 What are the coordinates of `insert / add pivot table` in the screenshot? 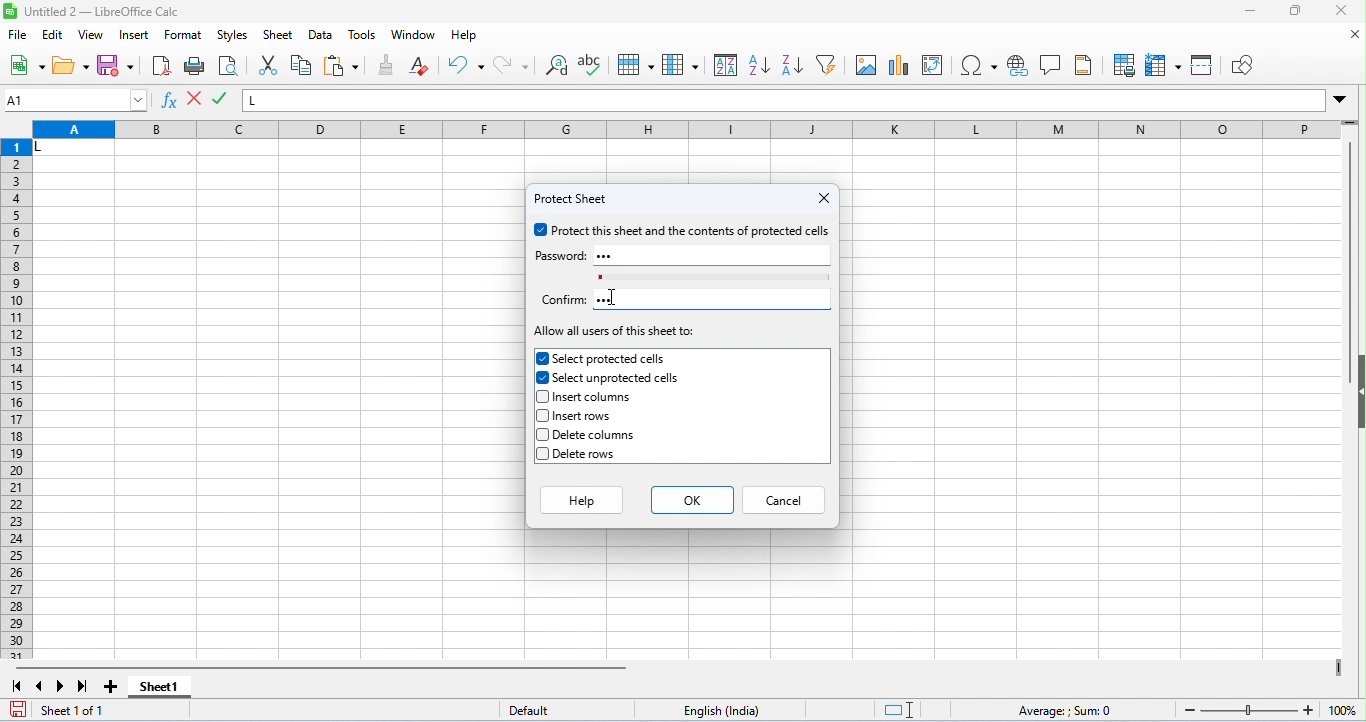 It's located at (932, 65).